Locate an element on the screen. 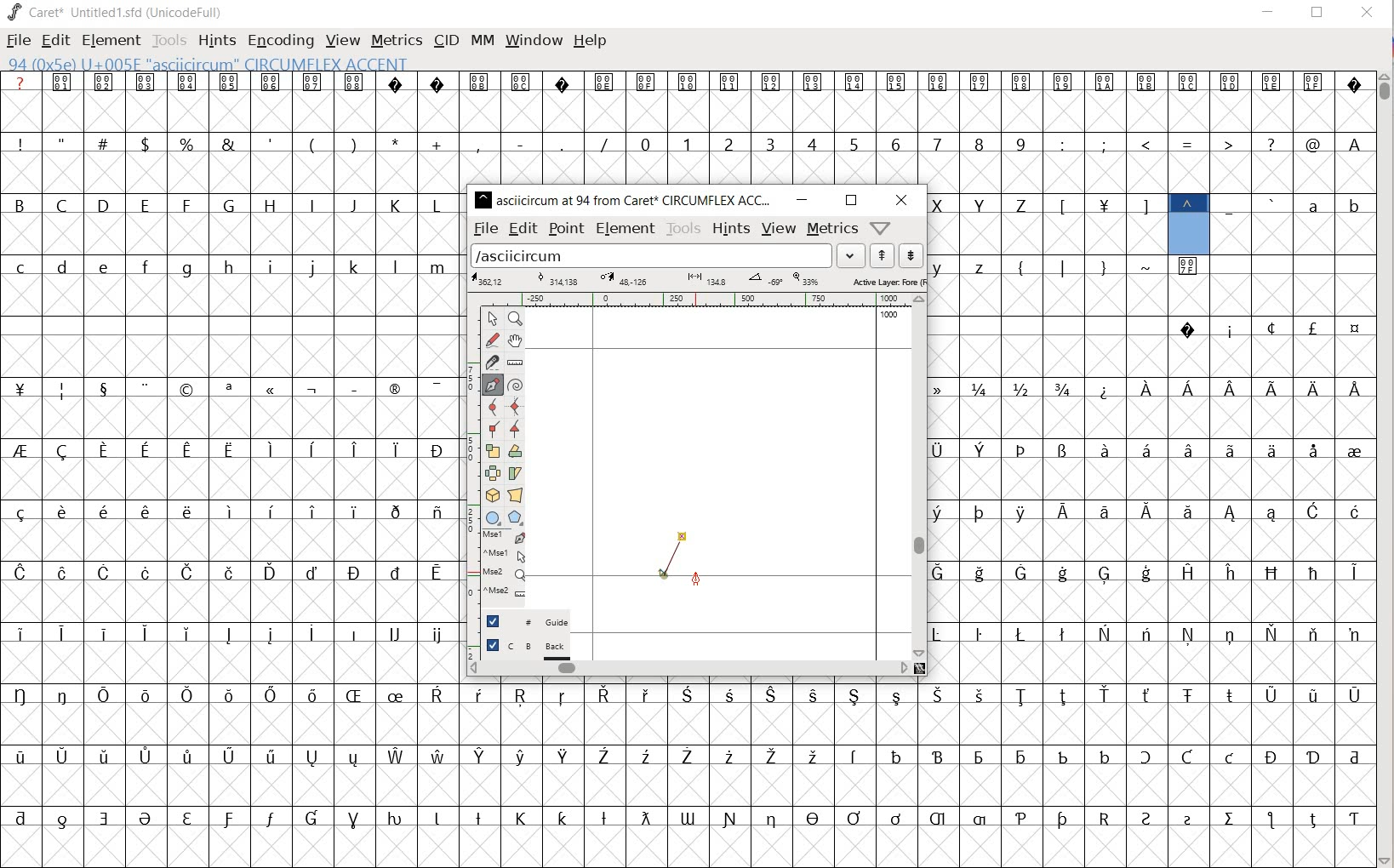 This screenshot has width=1394, height=868. show the next word on the list is located at coordinates (883, 257).